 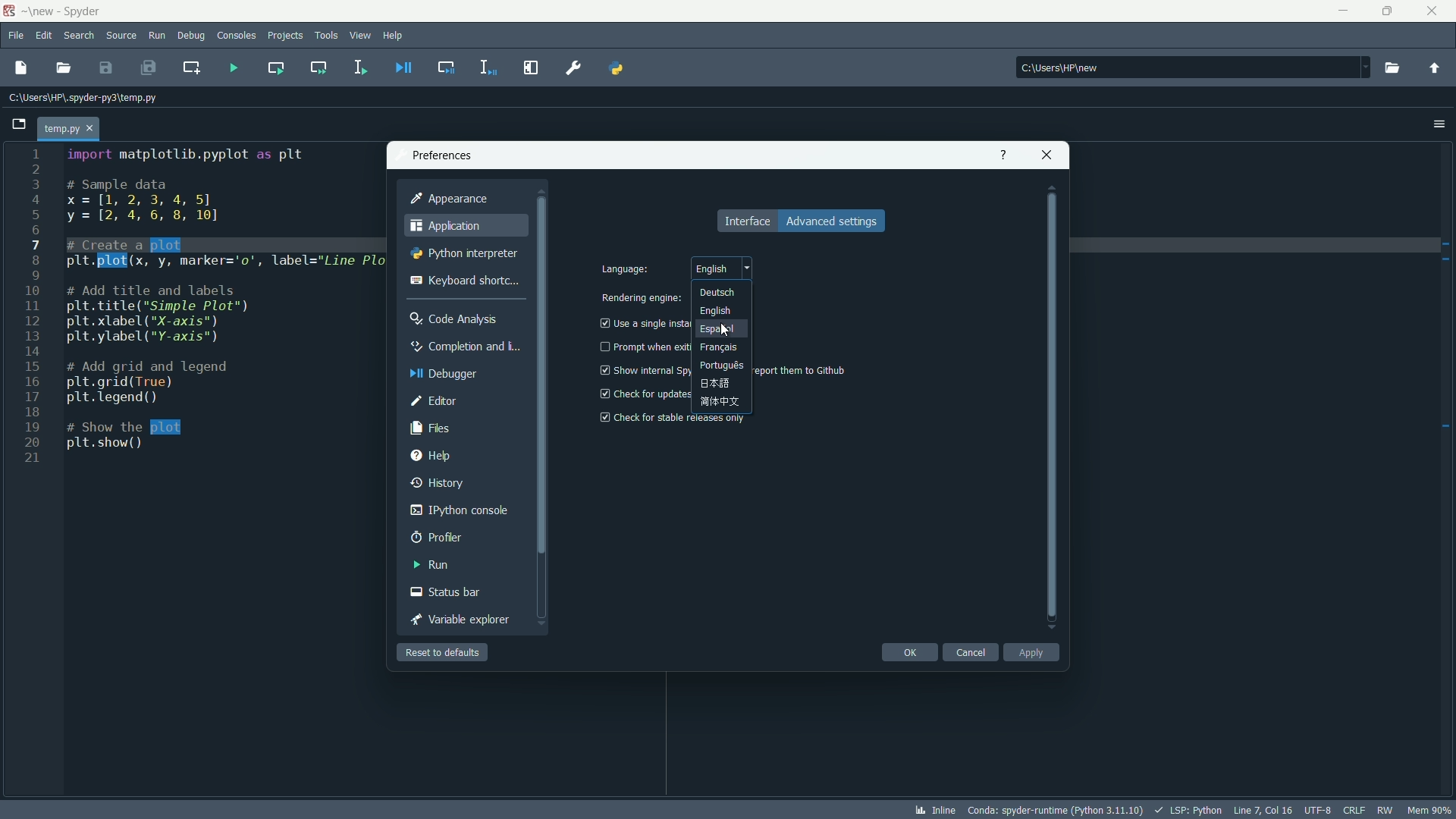 I want to click on debug file, so click(x=404, y=68).